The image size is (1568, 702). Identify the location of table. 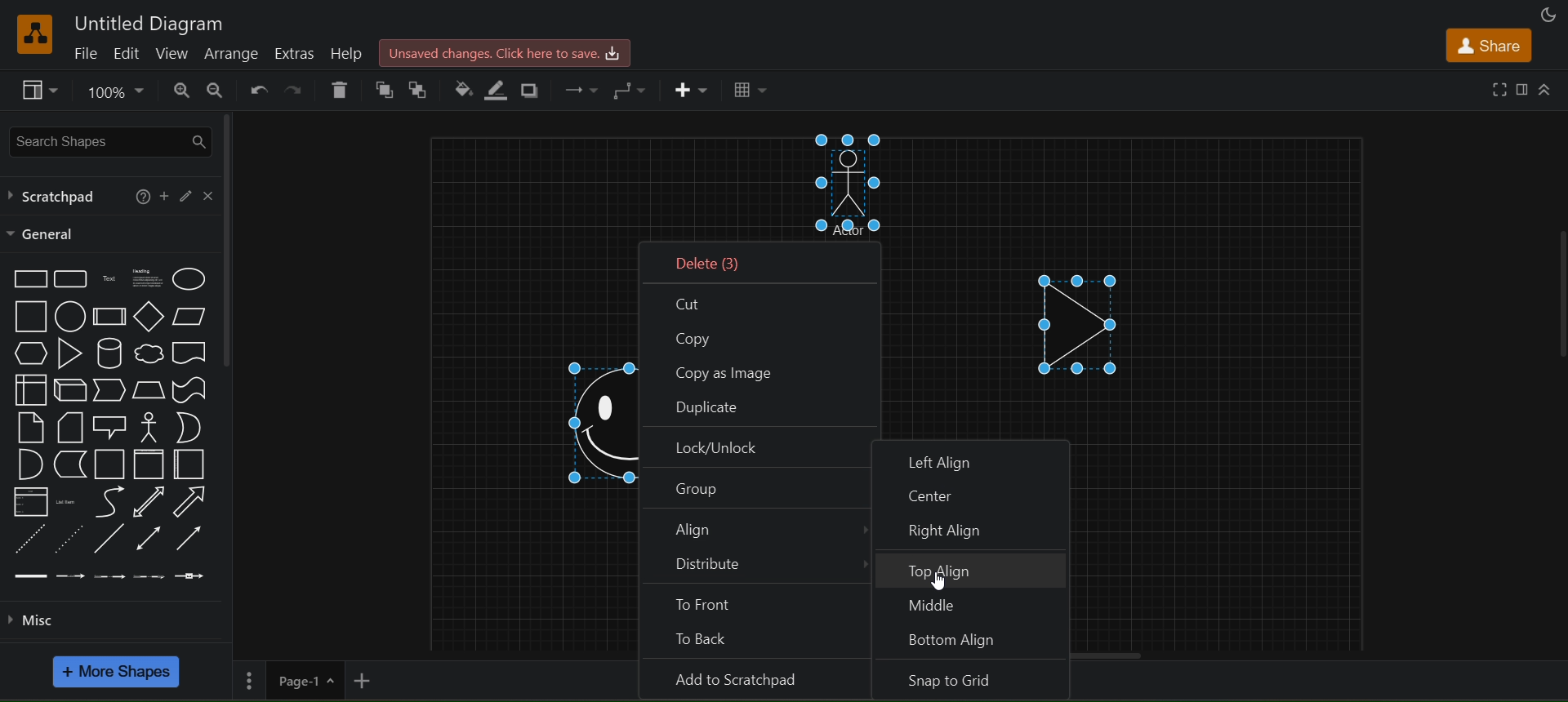
(750, 91).